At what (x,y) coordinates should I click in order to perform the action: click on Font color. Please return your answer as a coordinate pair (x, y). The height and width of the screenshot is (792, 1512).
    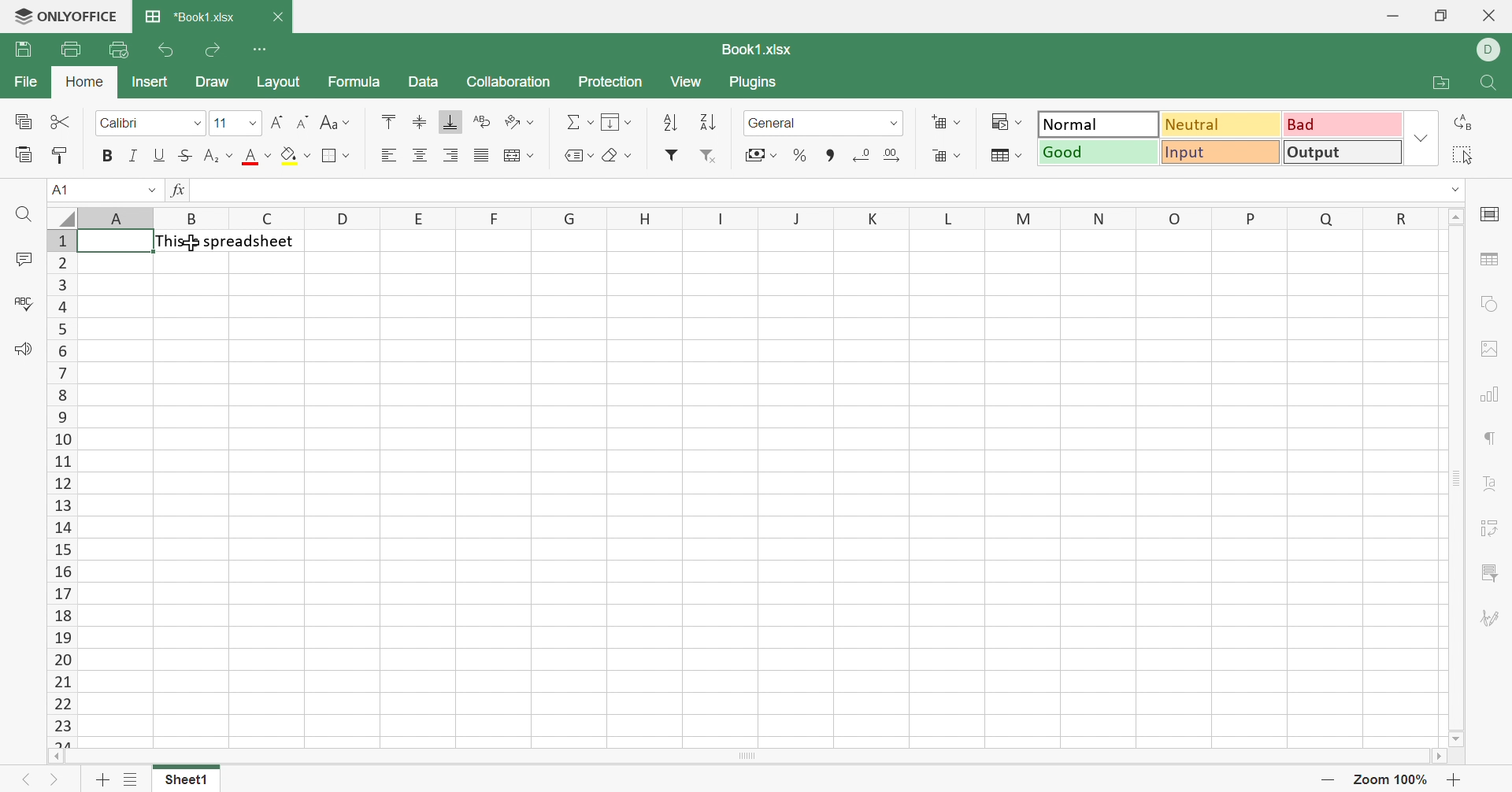
    Looking at the image, I should click on (249, 156).